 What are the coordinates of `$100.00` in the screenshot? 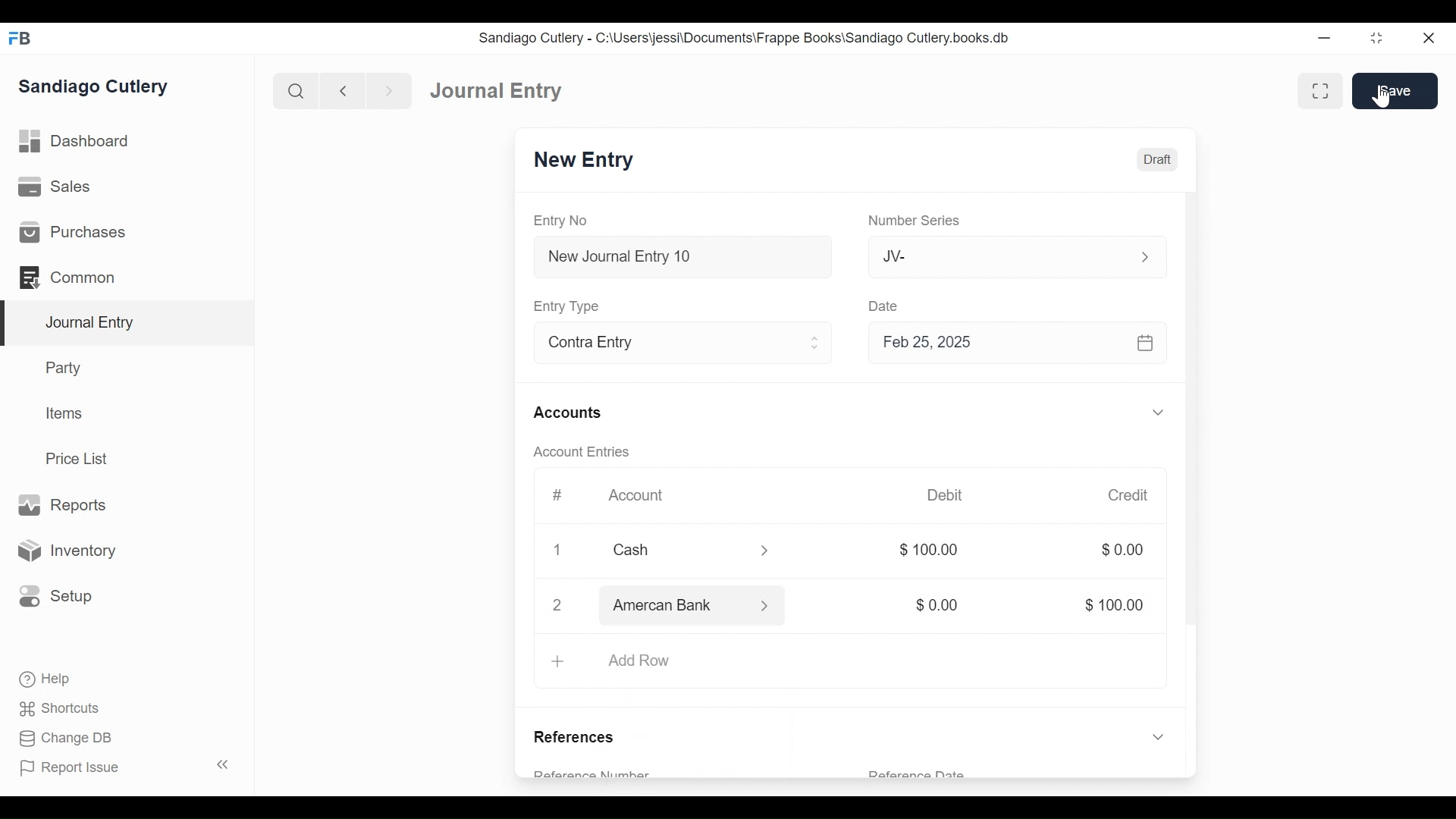 It's located at (925, 550).